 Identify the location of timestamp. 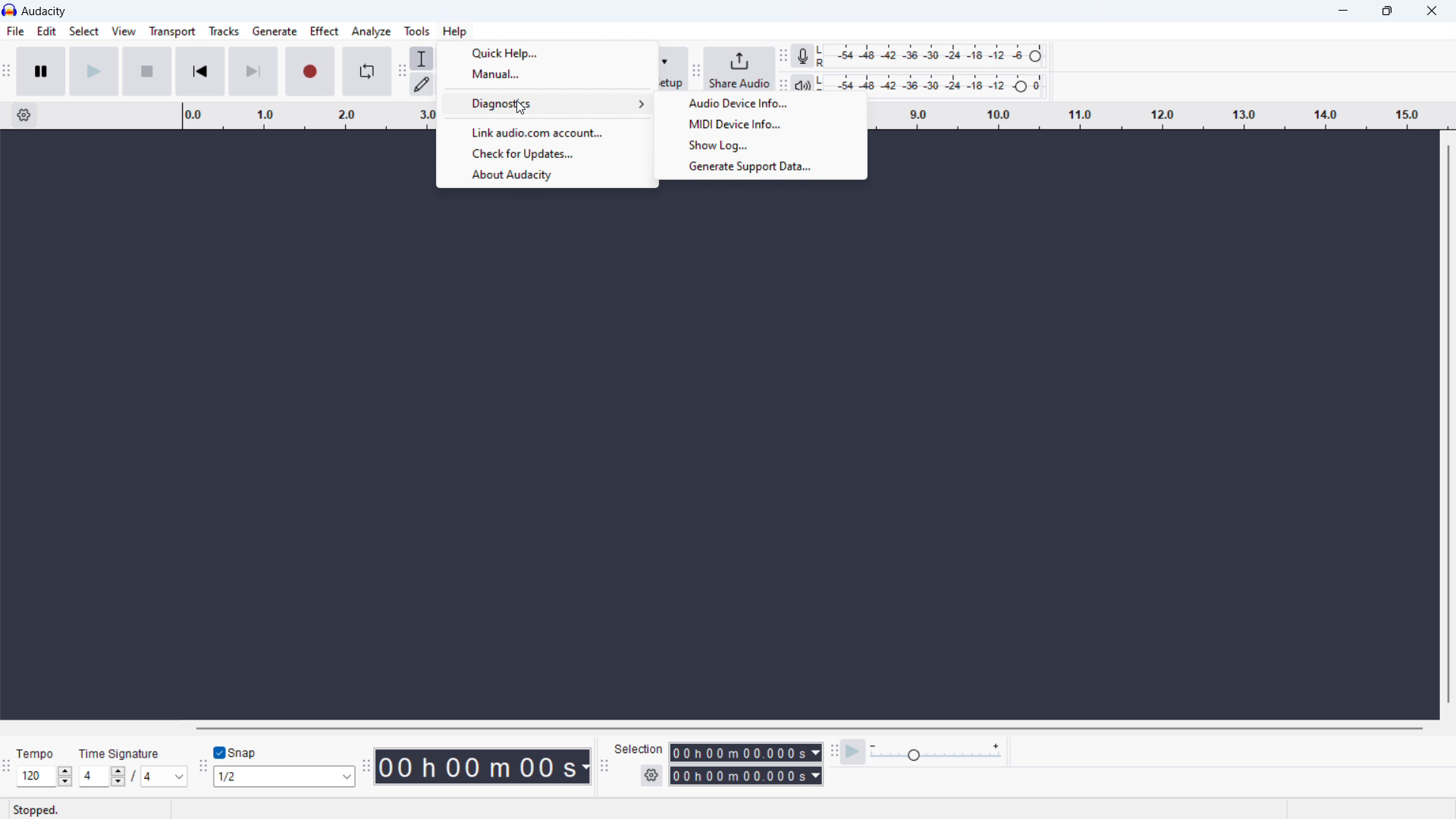
(482, 766).